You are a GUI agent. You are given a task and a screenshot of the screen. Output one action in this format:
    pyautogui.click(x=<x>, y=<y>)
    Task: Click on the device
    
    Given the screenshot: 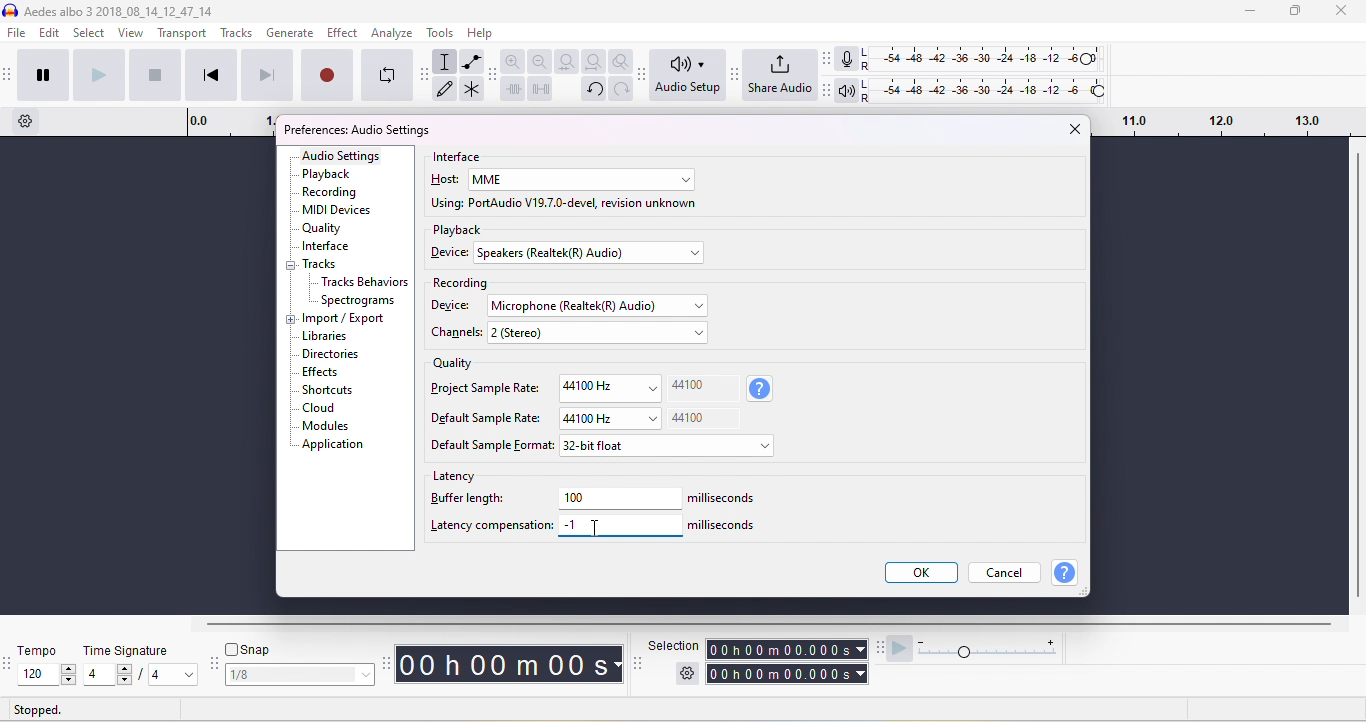 What is the action you would take?
    pyautogui.click(x=449, y=252)
    